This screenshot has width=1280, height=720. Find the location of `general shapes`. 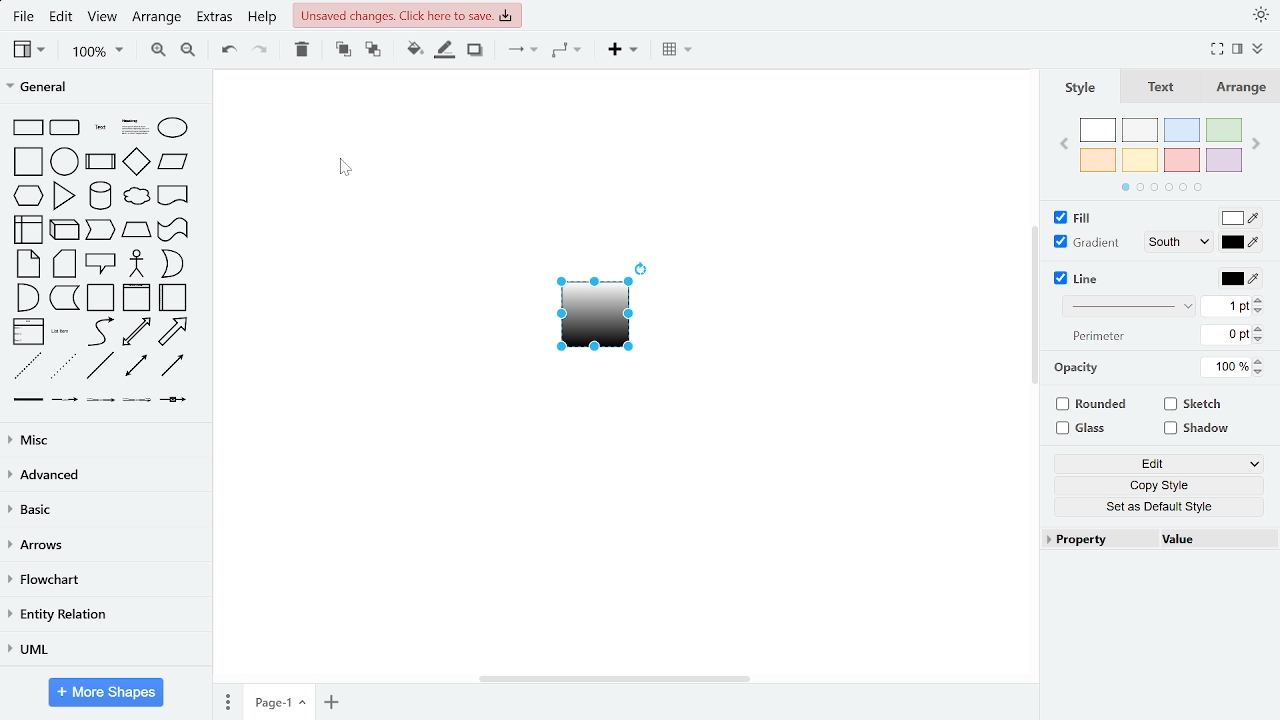

general shapes is located at coordinates (171, 126).